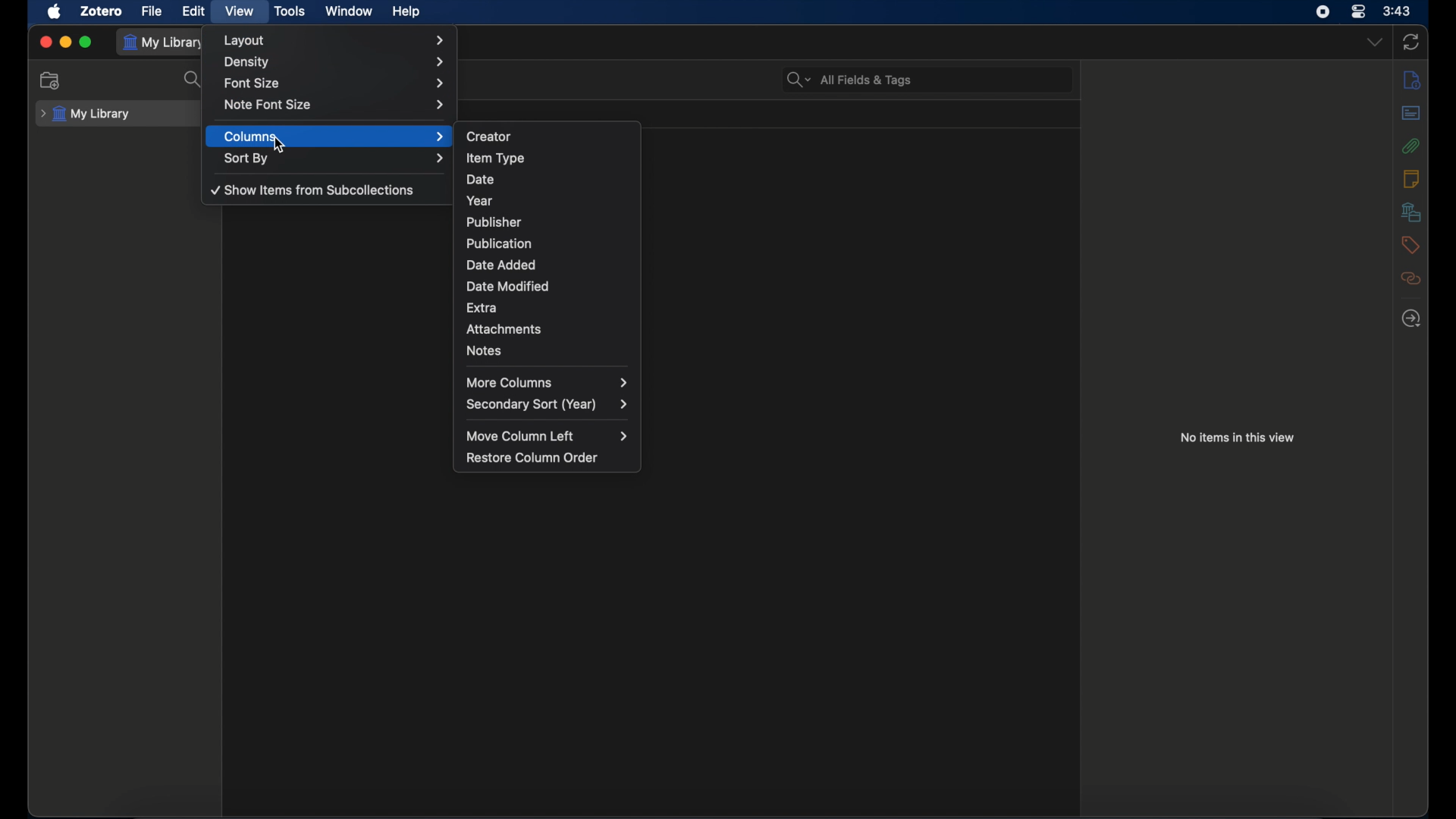 This screenshot has height=819, width=1456. Describe the element at coordinates (554, 264) in the screenshot. I see `date added` at that location.